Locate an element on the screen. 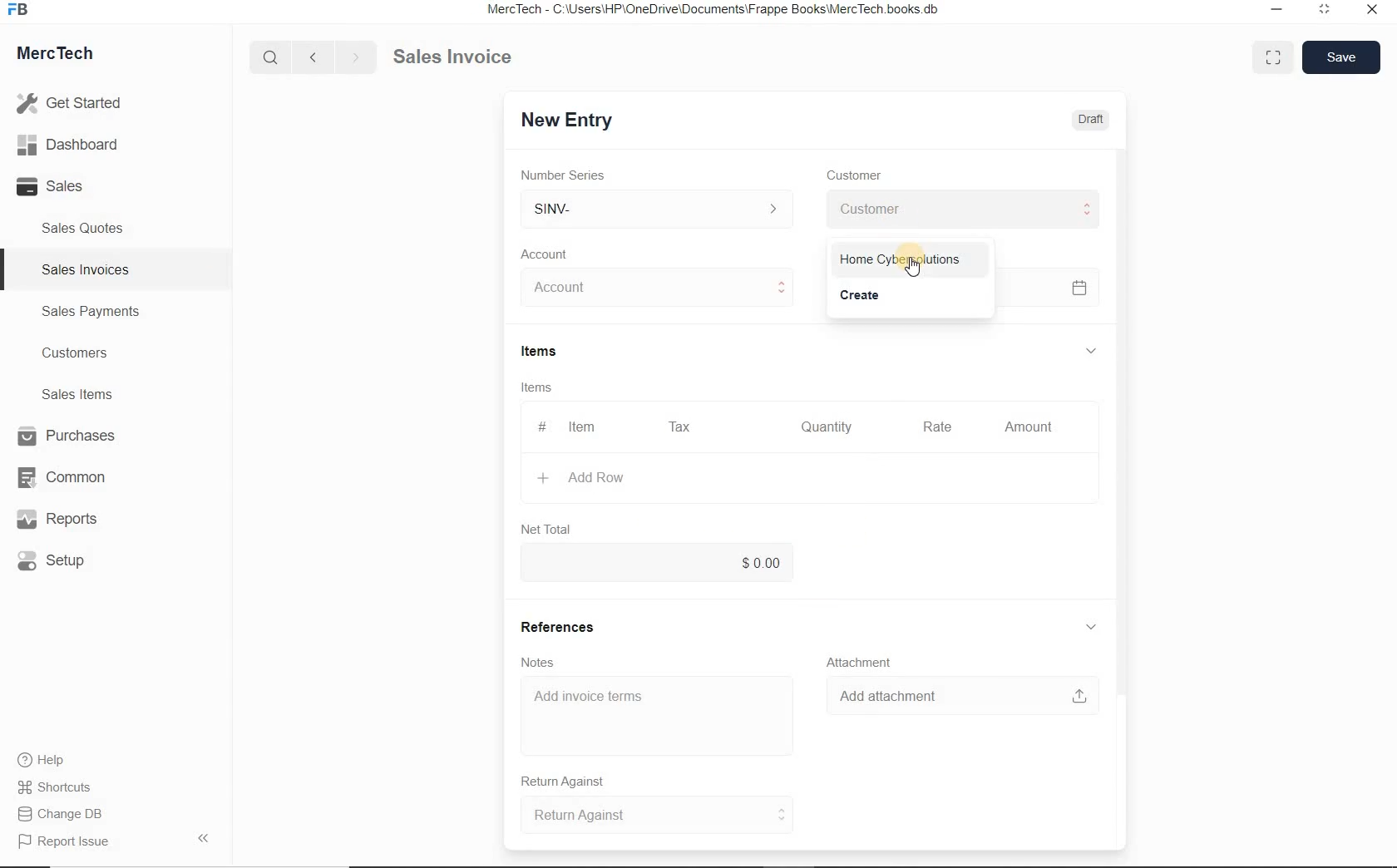 This screenshot has width=1397, height=868. Draft is located at coordinates (1092, 120).